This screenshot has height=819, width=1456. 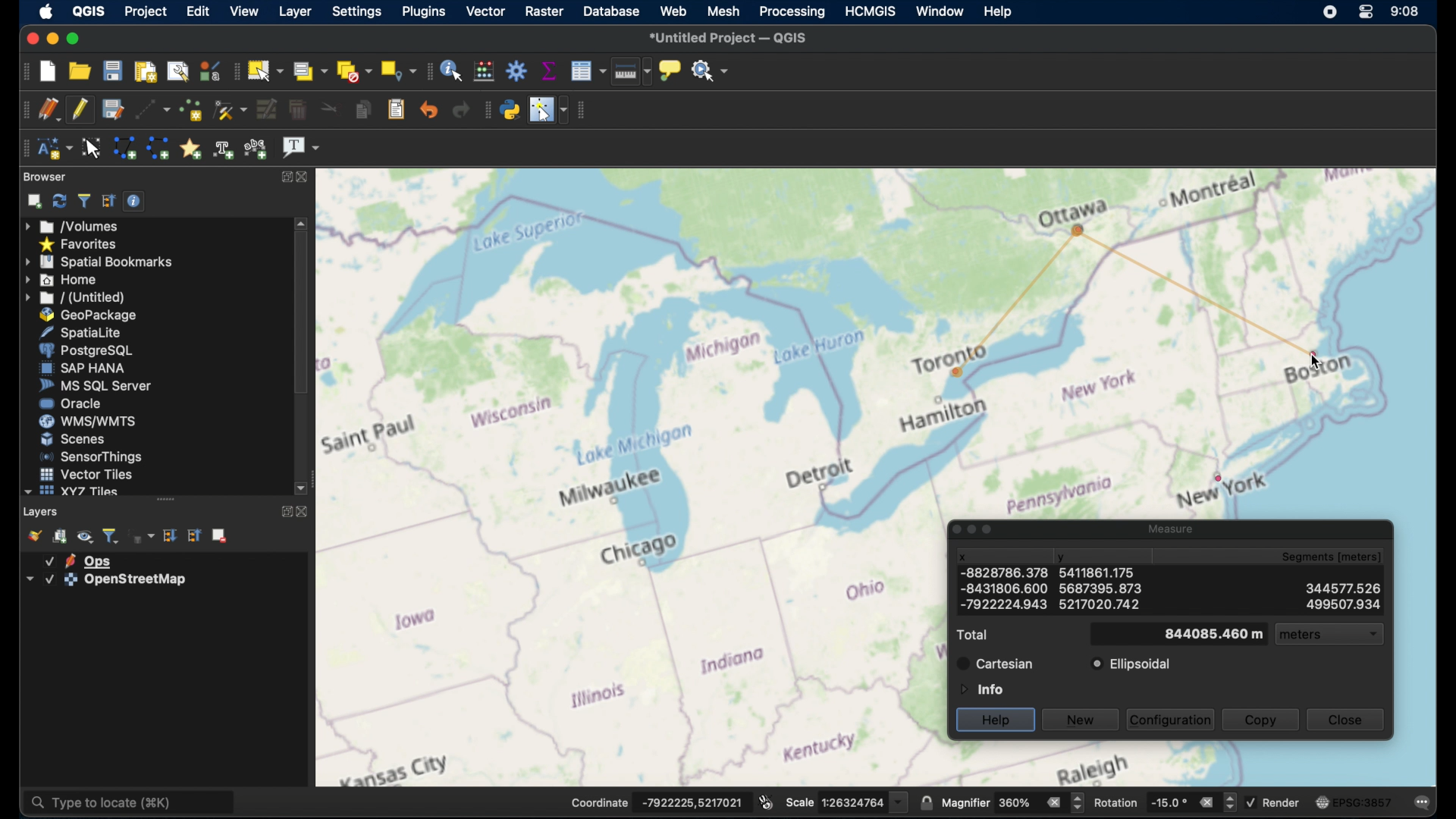 What do you see at coordinates (268, 70) in the screenshot?
I see `select features by area or single click` at bounding box center [268, 70].